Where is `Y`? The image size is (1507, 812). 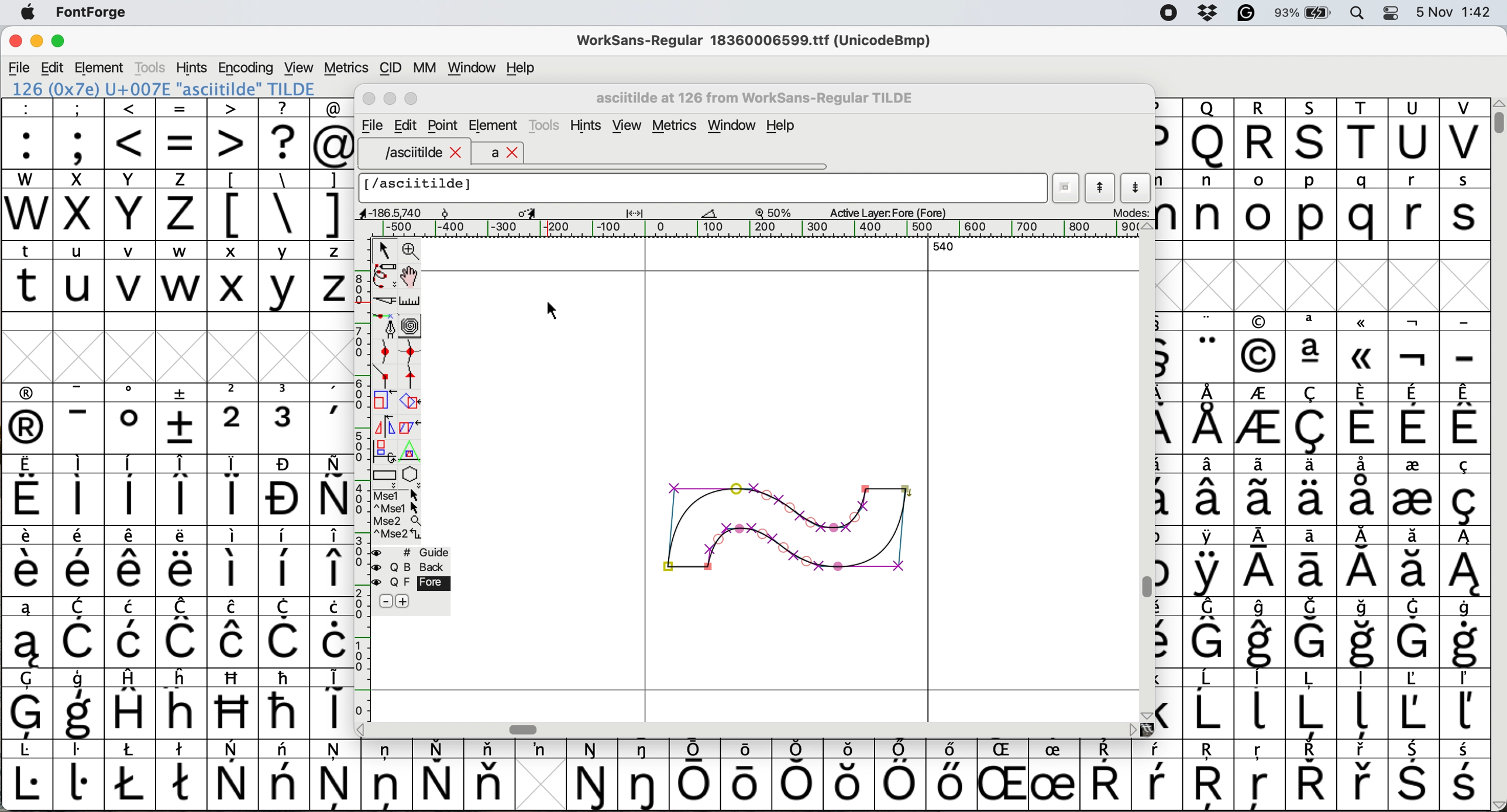 Y is located at coordinates (132, 205).